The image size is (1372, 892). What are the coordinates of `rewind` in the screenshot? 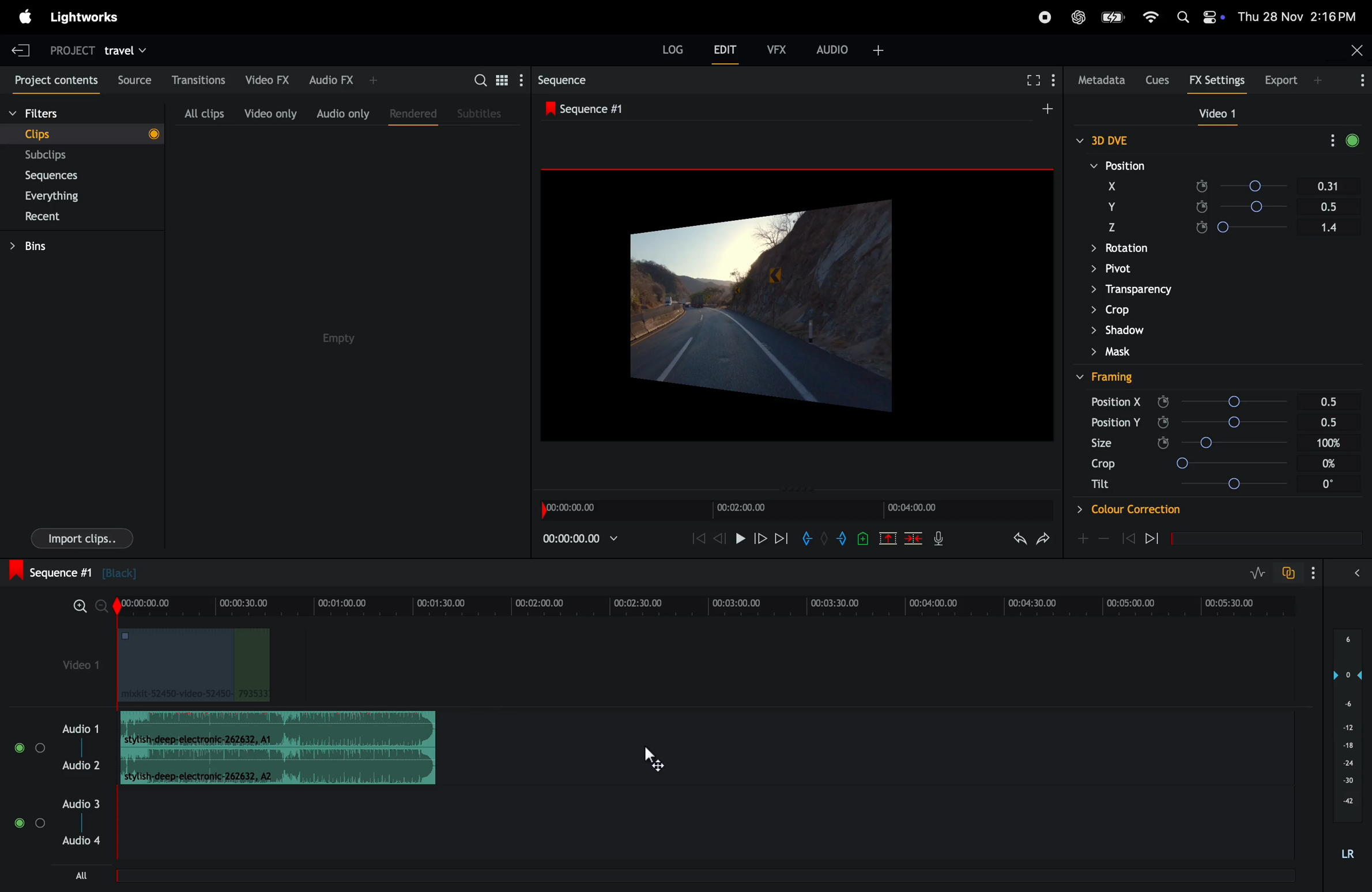 It's located at (694, 539).